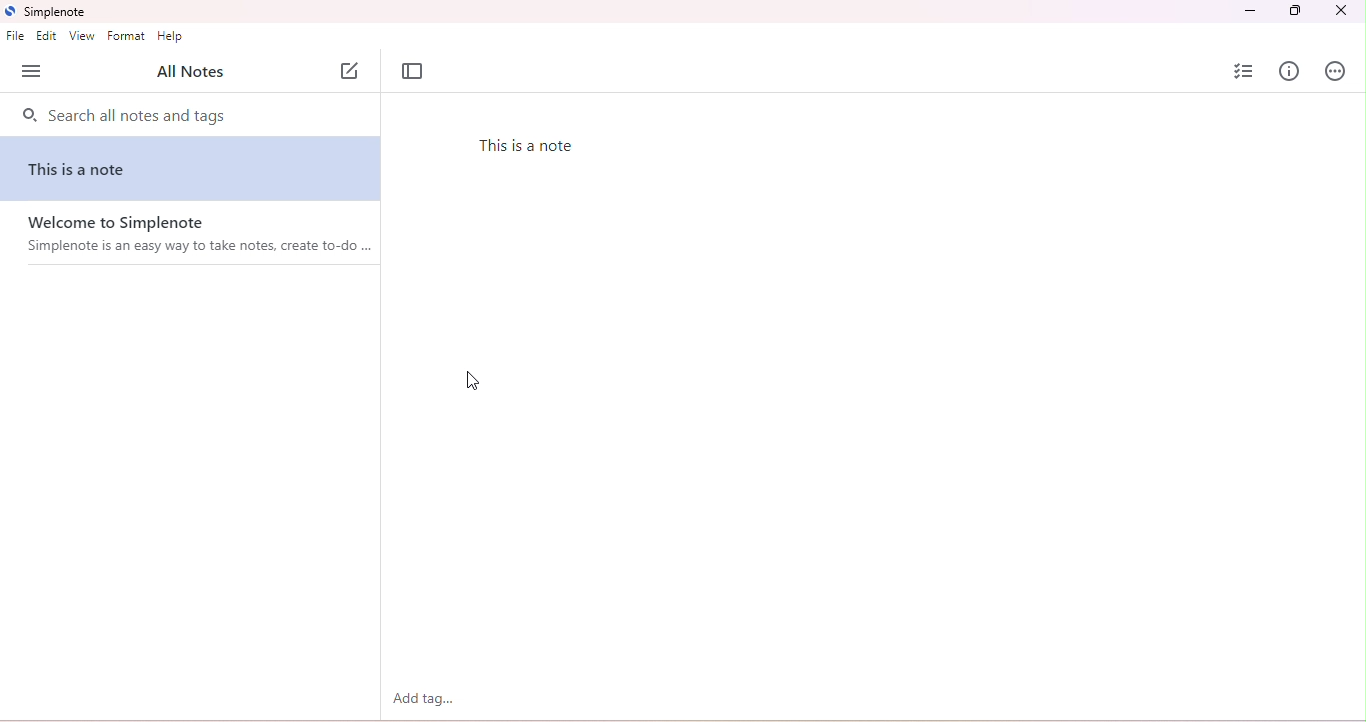 Image resolution: width=1366 pixels, height=722 pixels. Describe the element at coordinates (122, 117) in the screenshot. I see `search all note and tags` at that location.